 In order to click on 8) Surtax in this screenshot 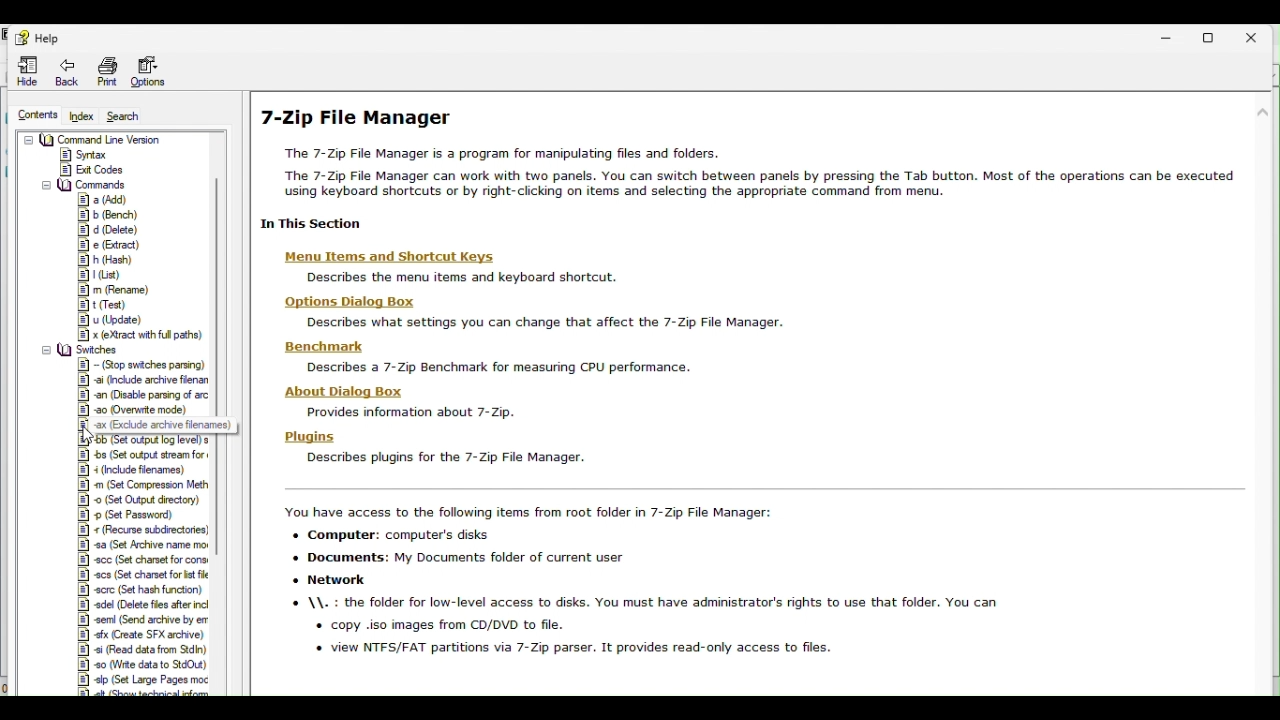, I will do `click(84, 153)`.